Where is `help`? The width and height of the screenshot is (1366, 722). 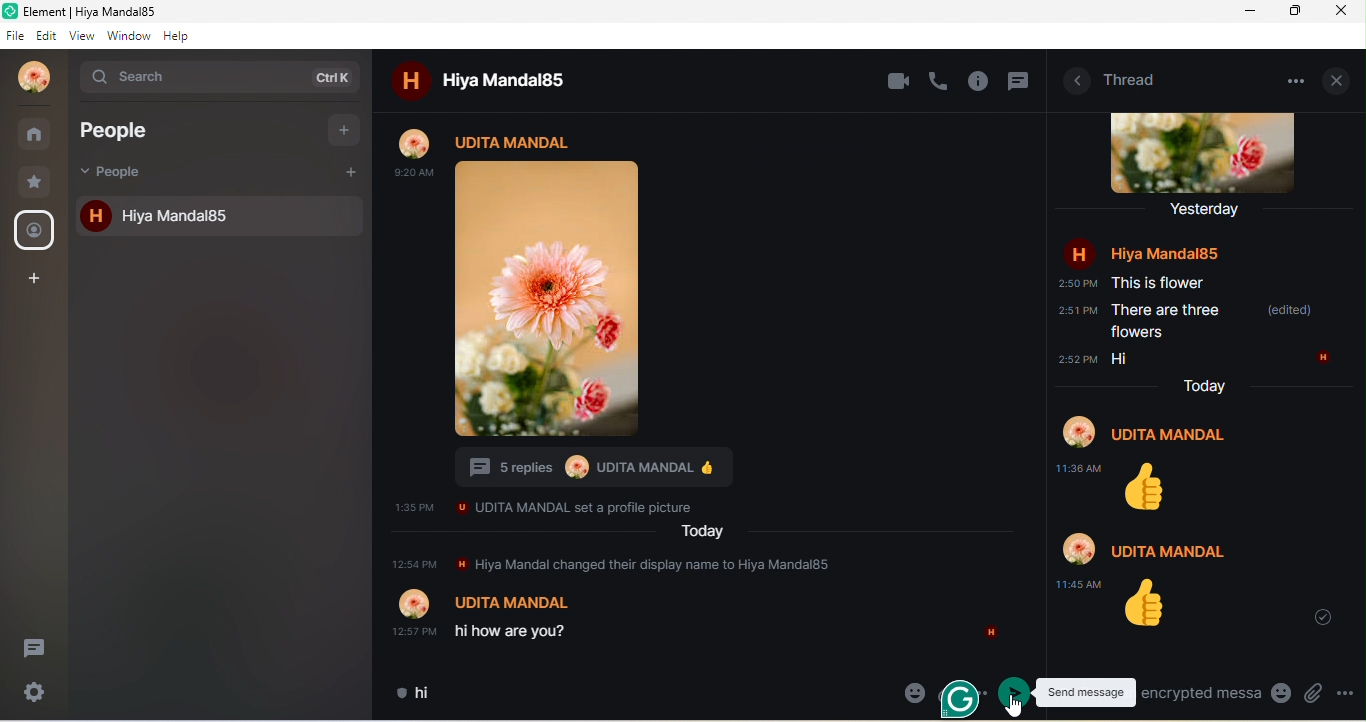 help is located at coordinates (183, 36).